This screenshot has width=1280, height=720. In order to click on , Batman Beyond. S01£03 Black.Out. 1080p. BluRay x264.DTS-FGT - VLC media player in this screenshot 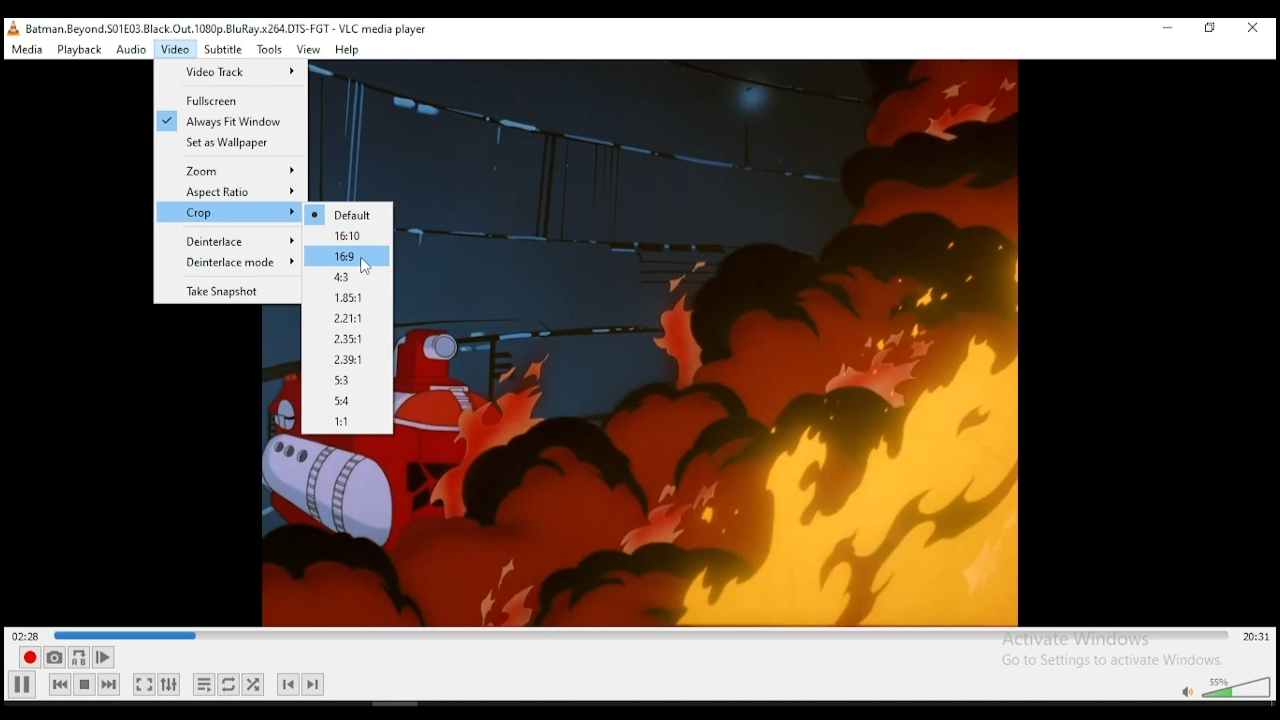, I will do `click(219, 29)`.